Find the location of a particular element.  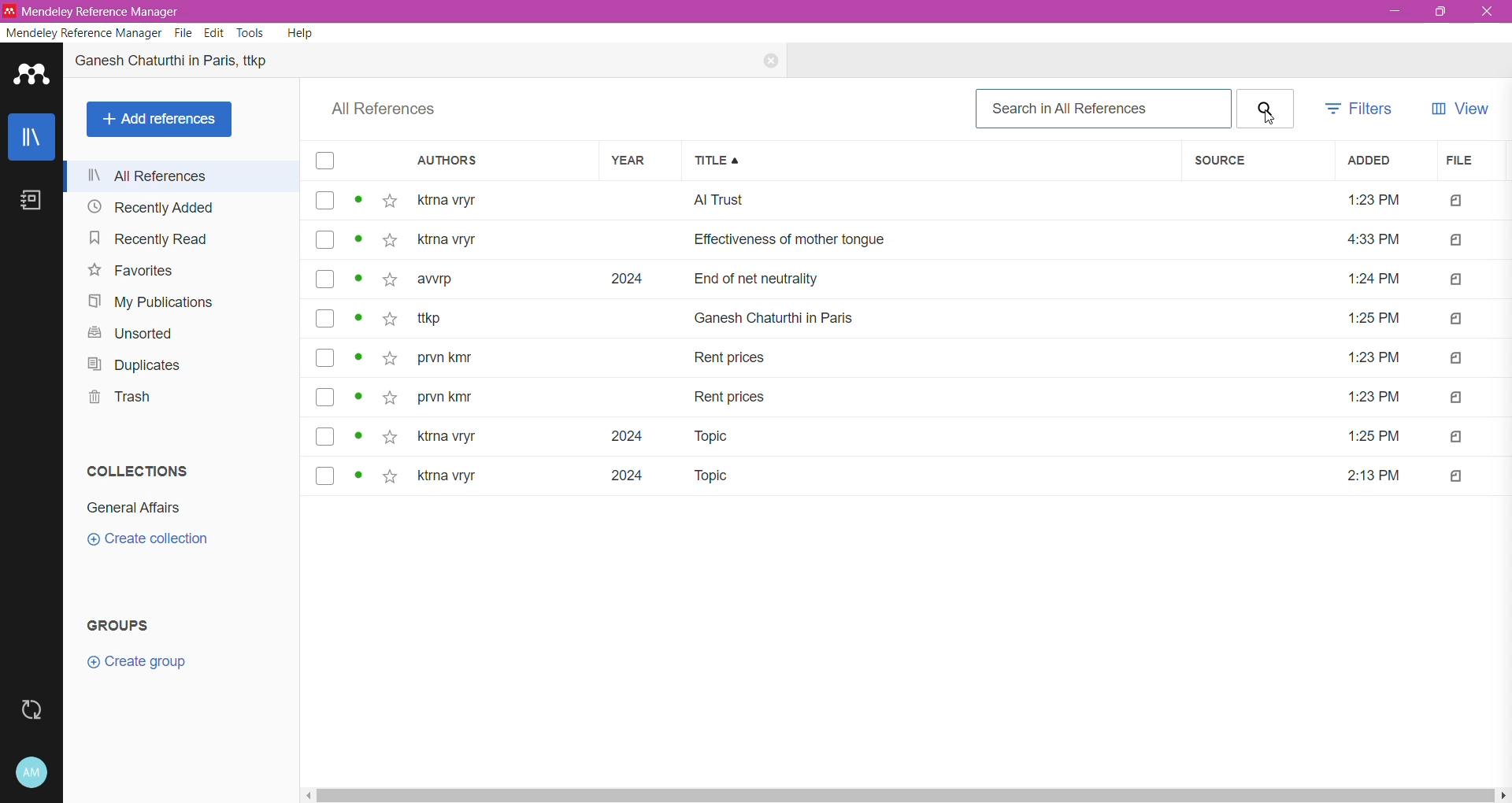

prvn kmr Rent prices 1:23 PM is located at coordinates (911, 398).